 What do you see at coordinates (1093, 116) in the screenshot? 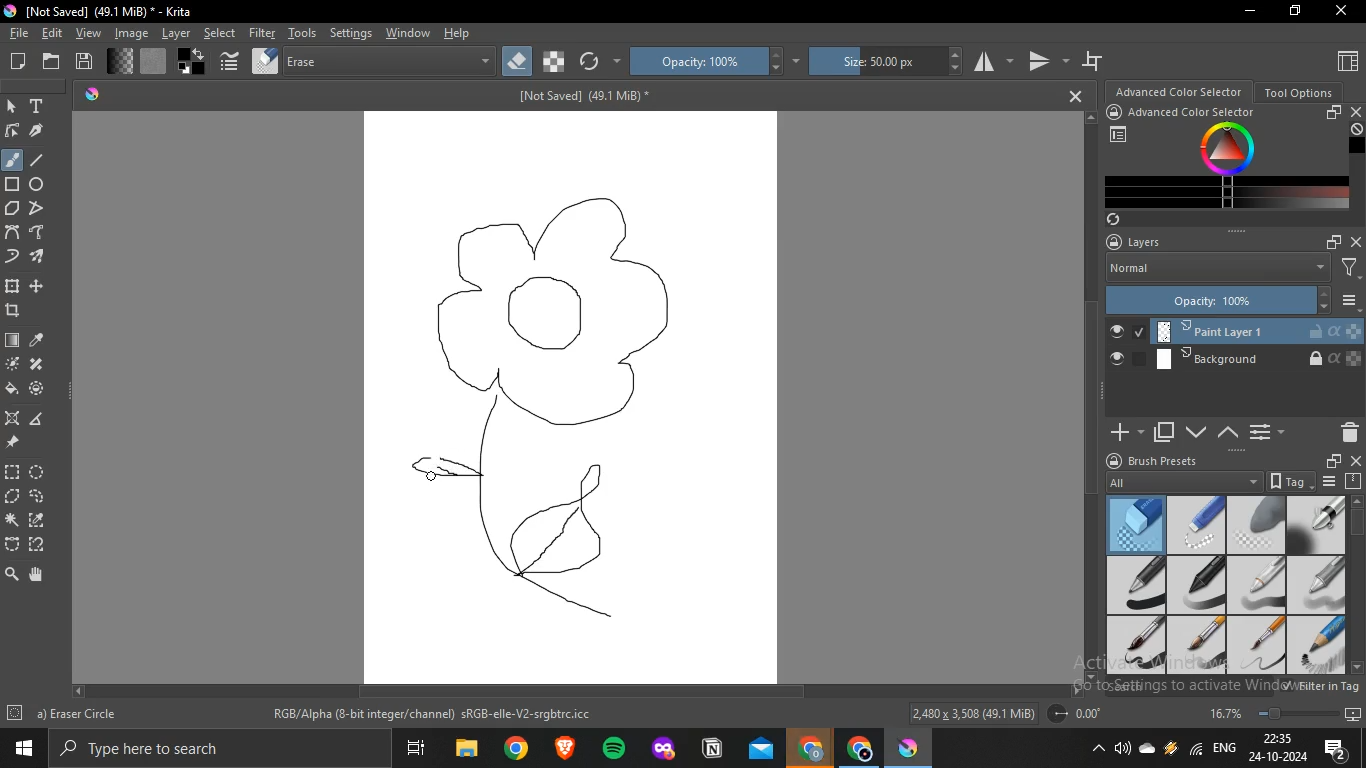
I see `Up` at bounding box center [1093, 116].